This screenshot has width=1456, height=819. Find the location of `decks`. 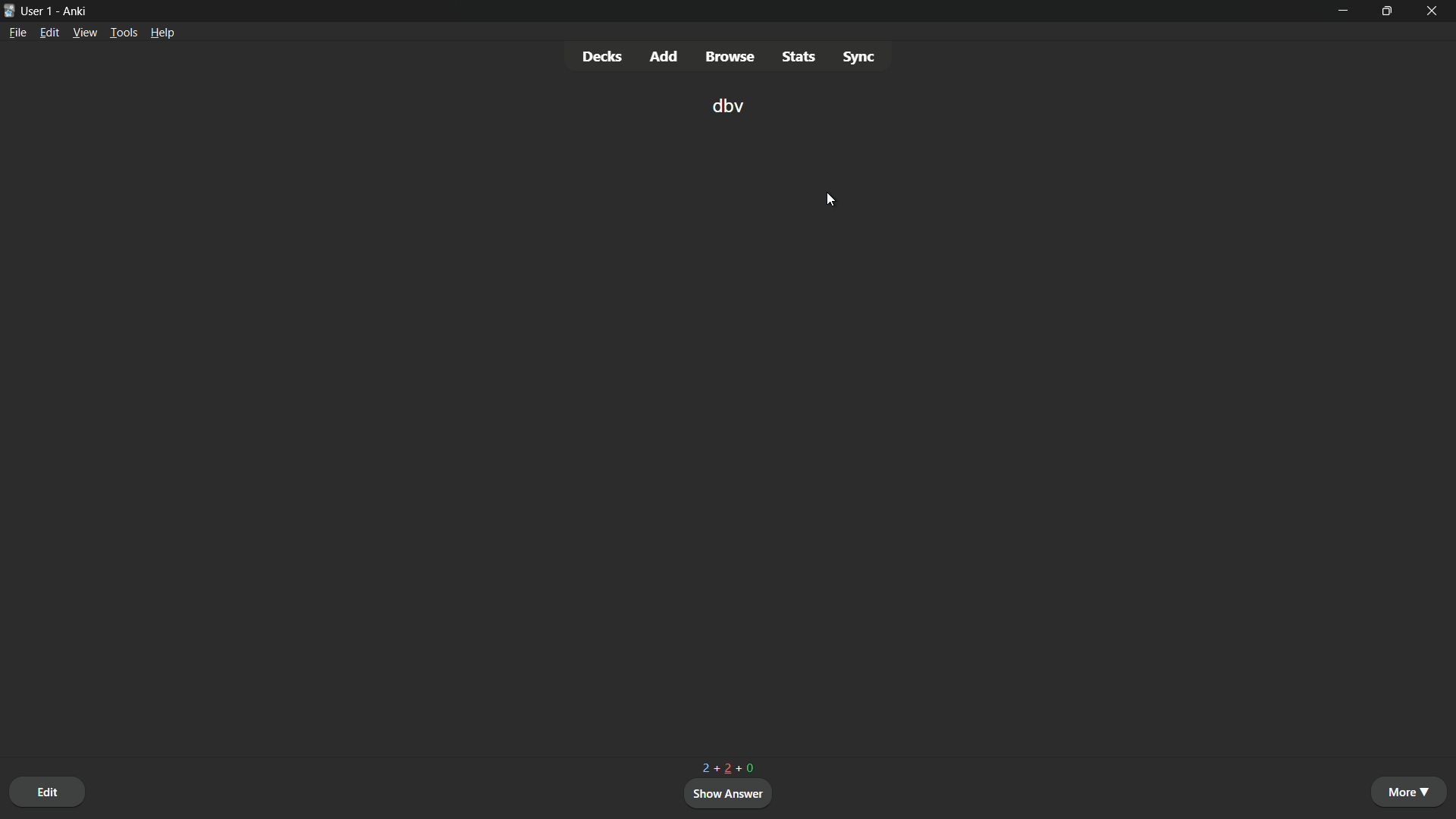

decks is located at coordinates (604, 55).